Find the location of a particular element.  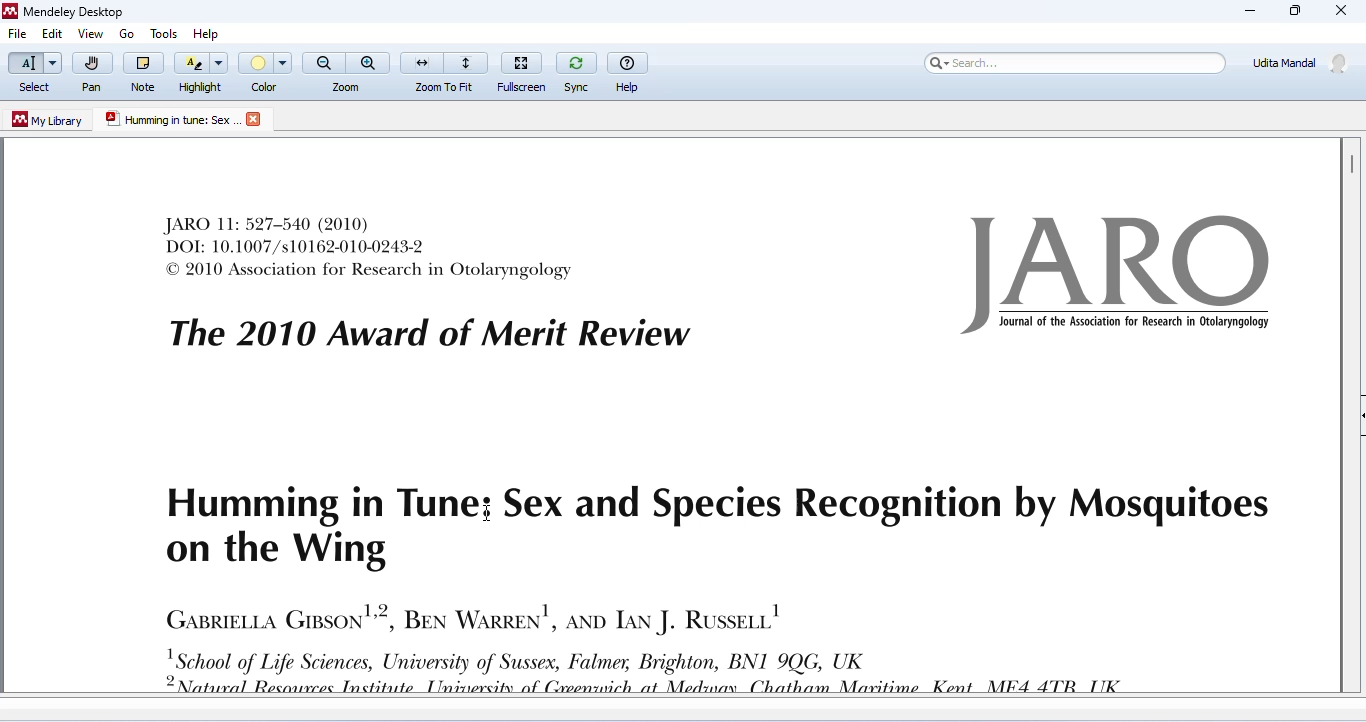

zoom to fit is located at coordinates (445, 70).